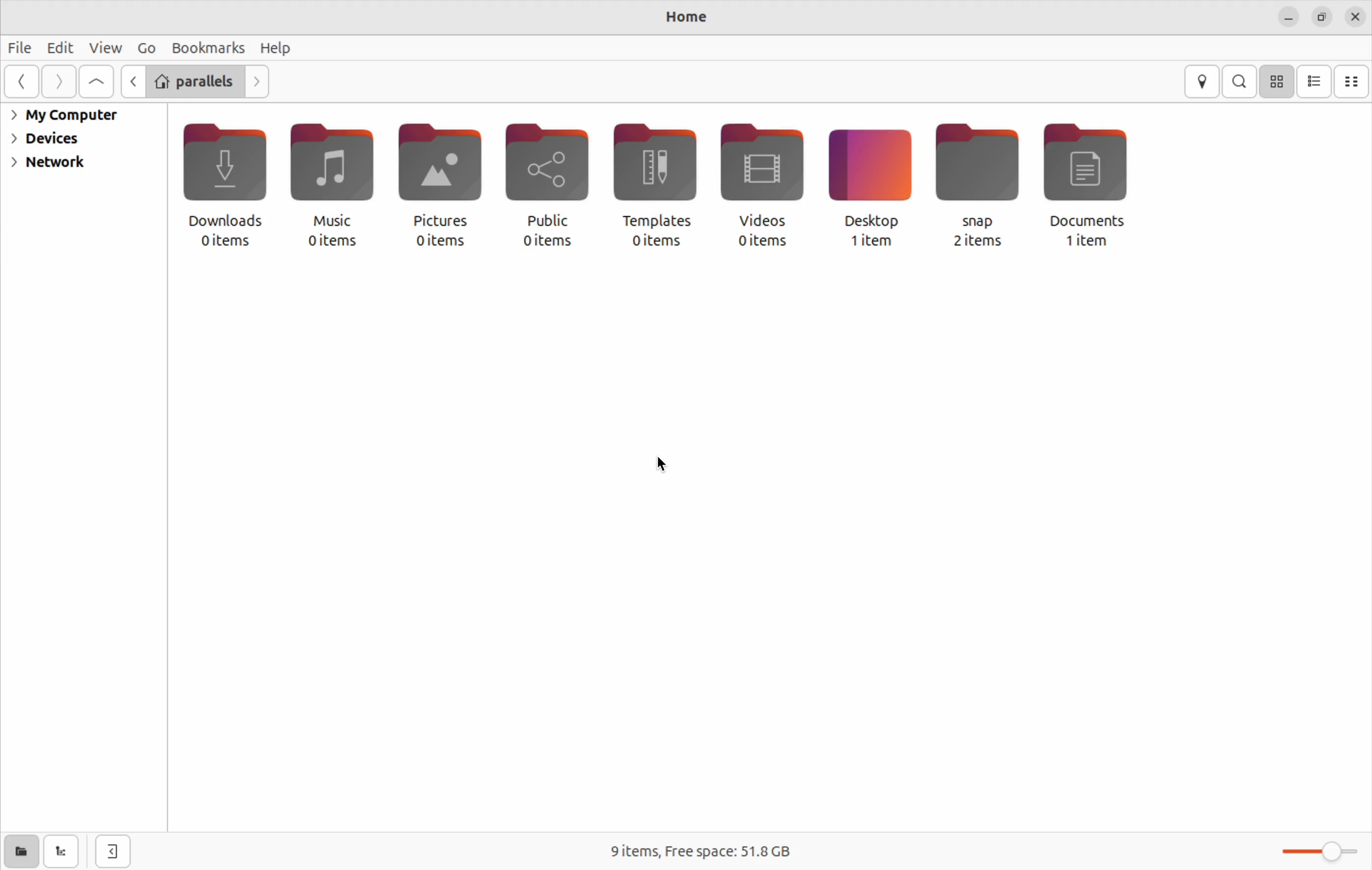 Image resolution: width=1372 pixels, height=870 pixels. Describe the element at coordinates (63, 165) in the screenshot. I see `network` at that location.